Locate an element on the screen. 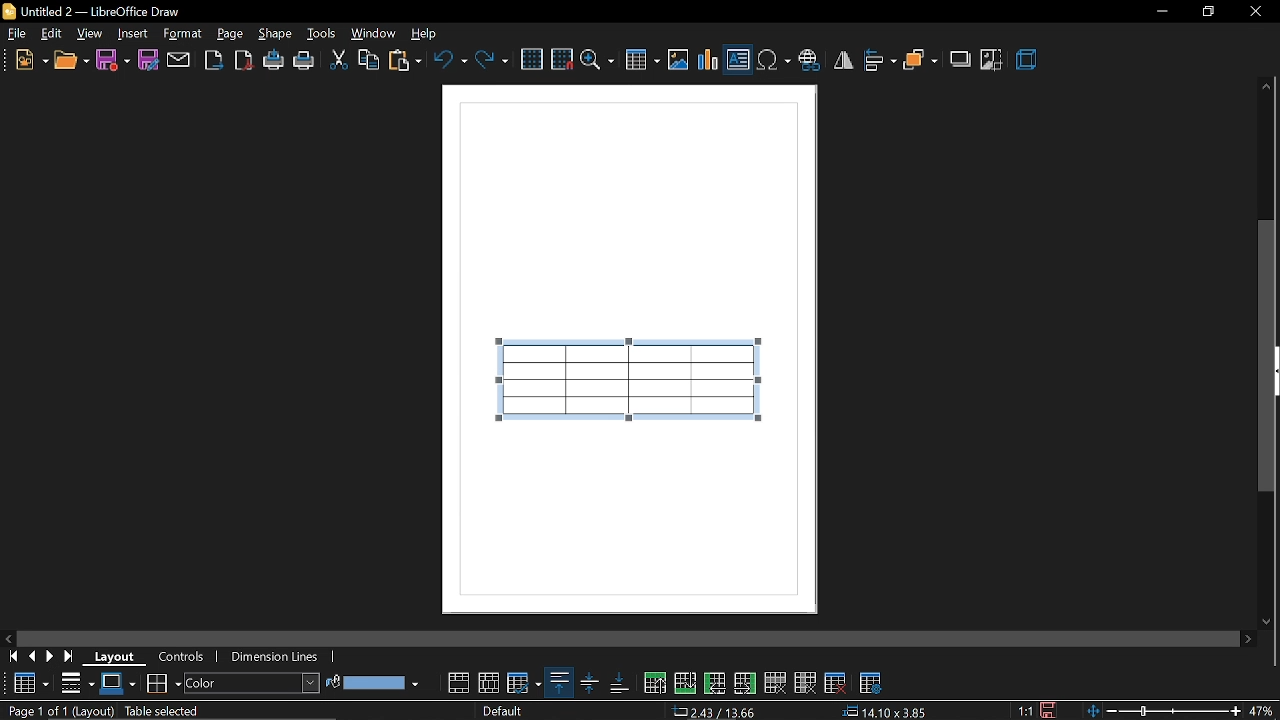  delete column is located at coordinates (805, 683).